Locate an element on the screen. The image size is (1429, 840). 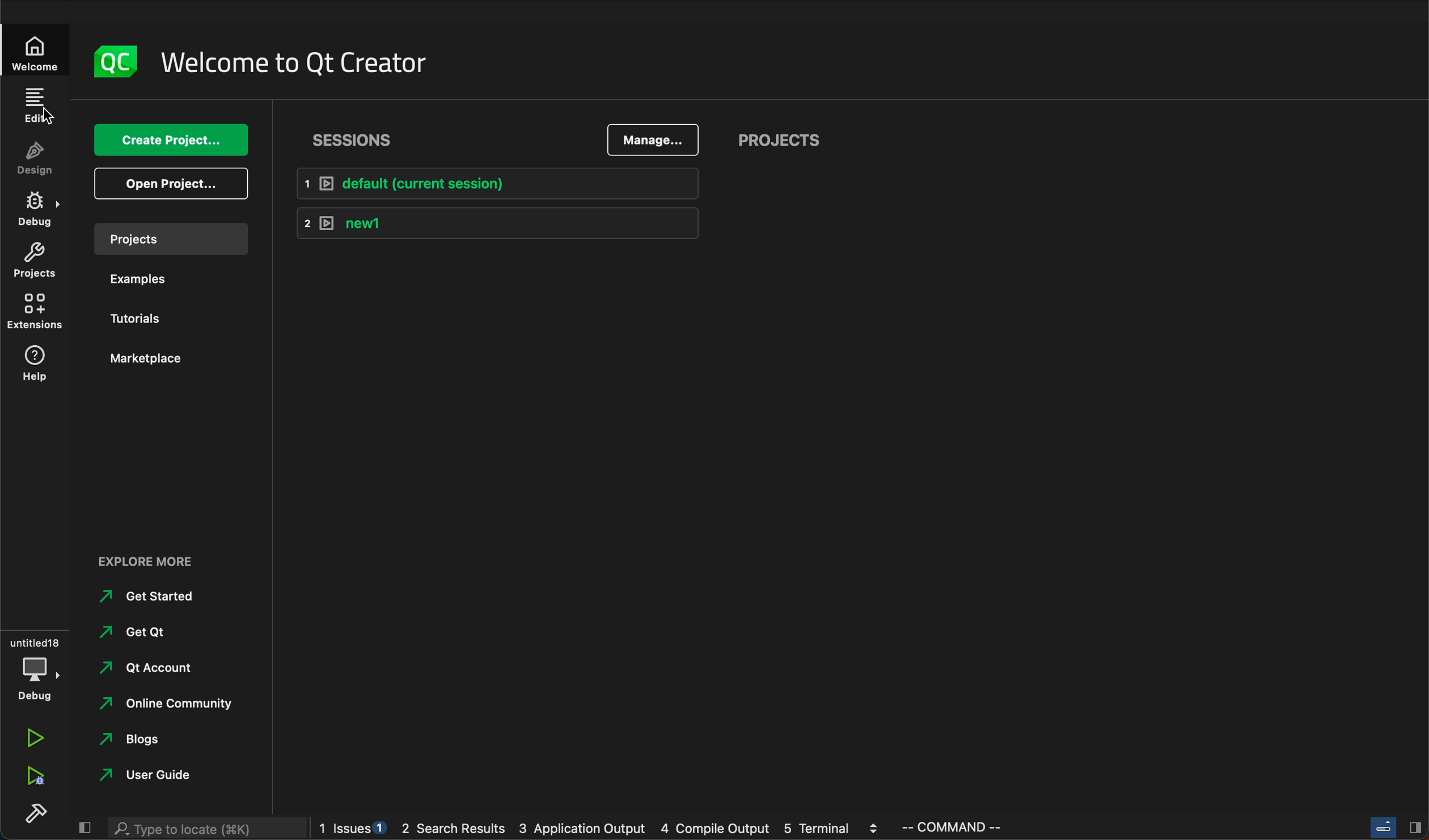
search bar is located at coordinates (197, 830).